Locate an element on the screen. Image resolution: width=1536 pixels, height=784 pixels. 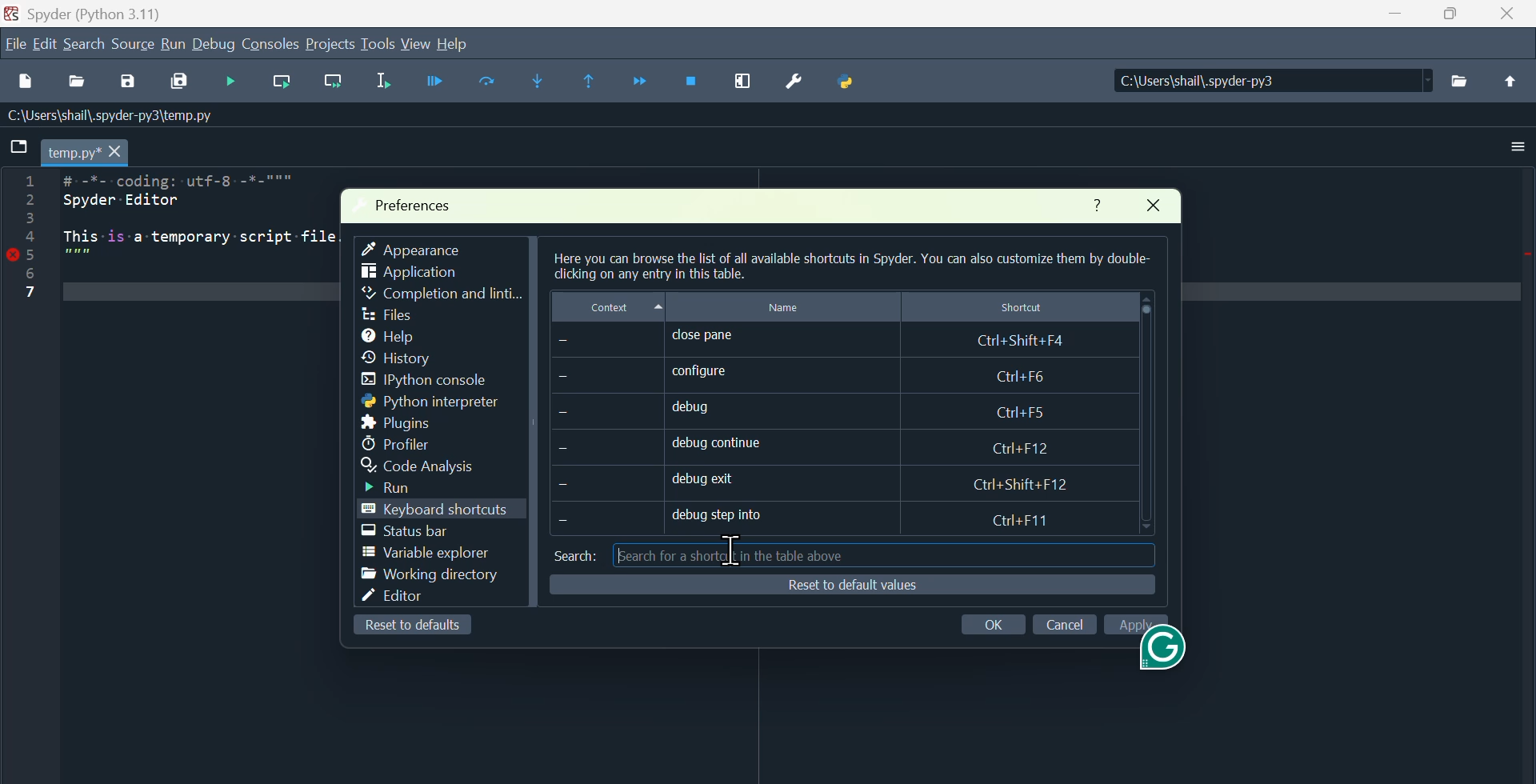
debug is located at coordinates (810, 407).